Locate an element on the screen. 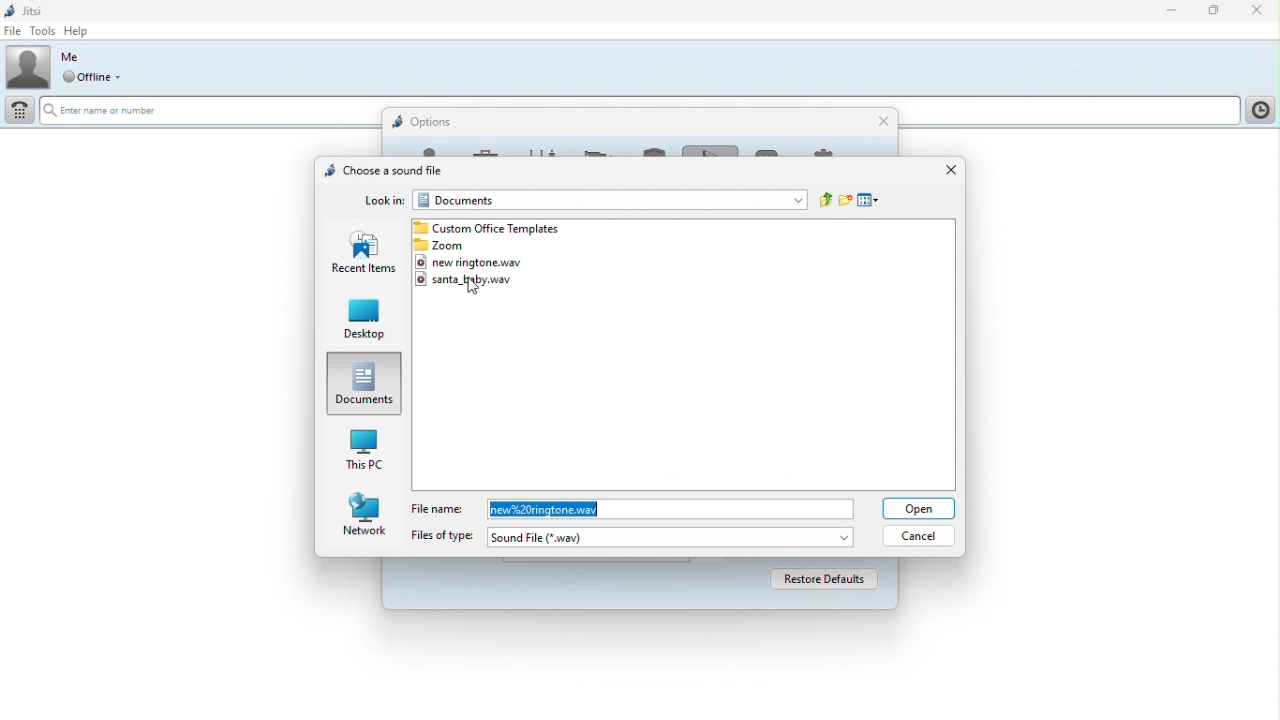 This screenshot has height=720, width=1280. Enter name or number is located at coordinates (113, 109).